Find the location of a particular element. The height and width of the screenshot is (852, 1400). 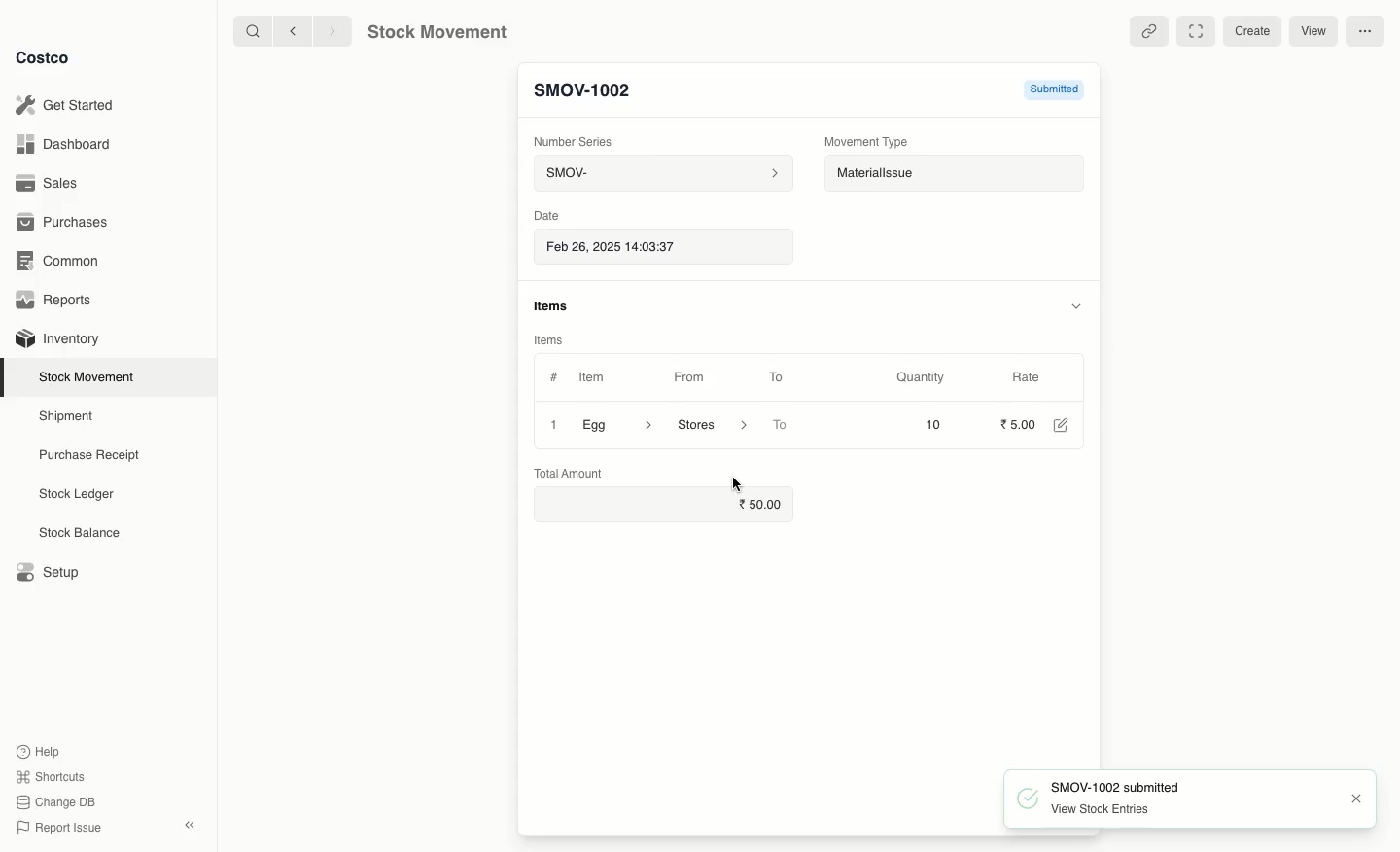

Stock Movement is located at coordinates (90, 376).